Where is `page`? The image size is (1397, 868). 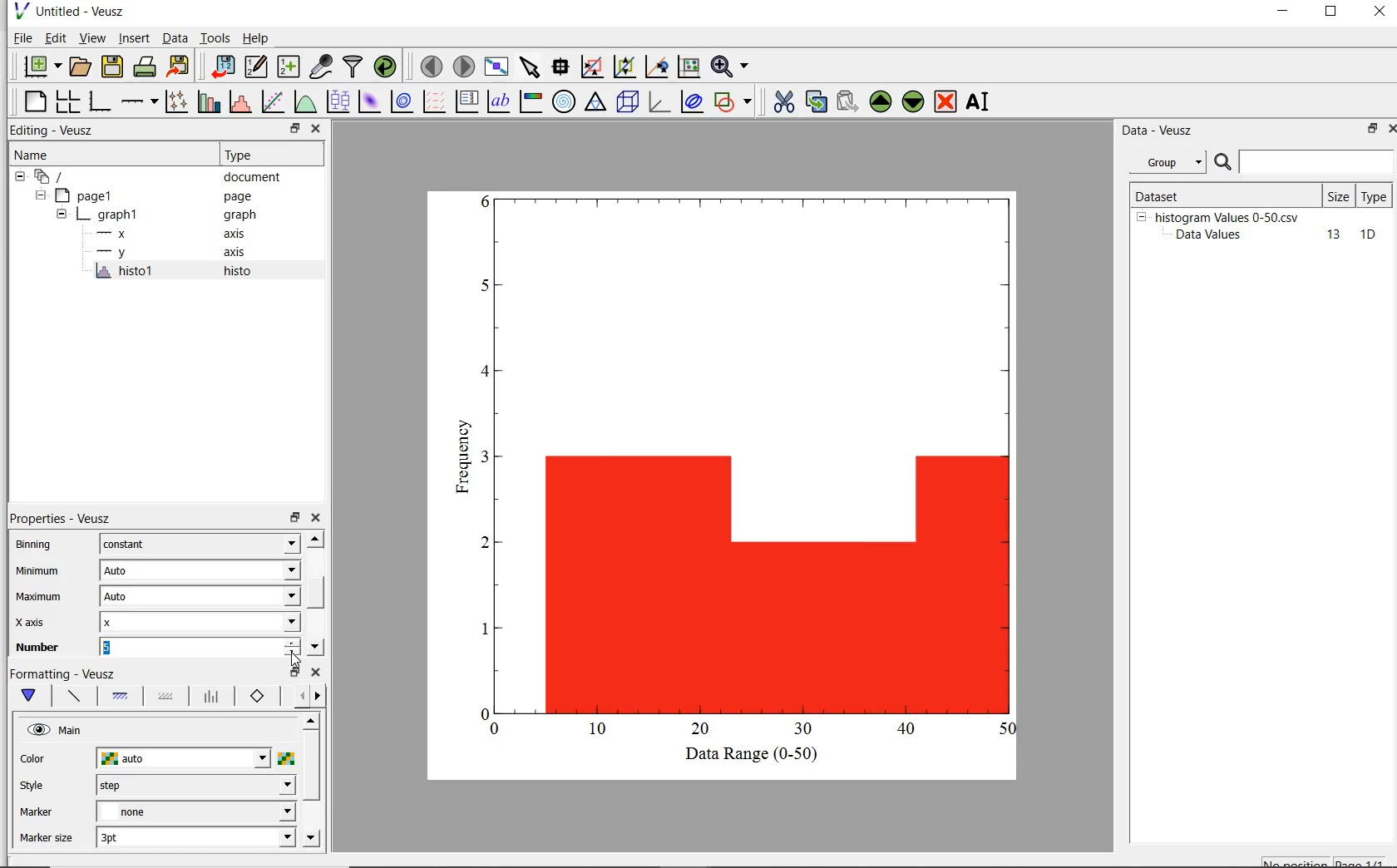
page is located at coordinates (246, 197).